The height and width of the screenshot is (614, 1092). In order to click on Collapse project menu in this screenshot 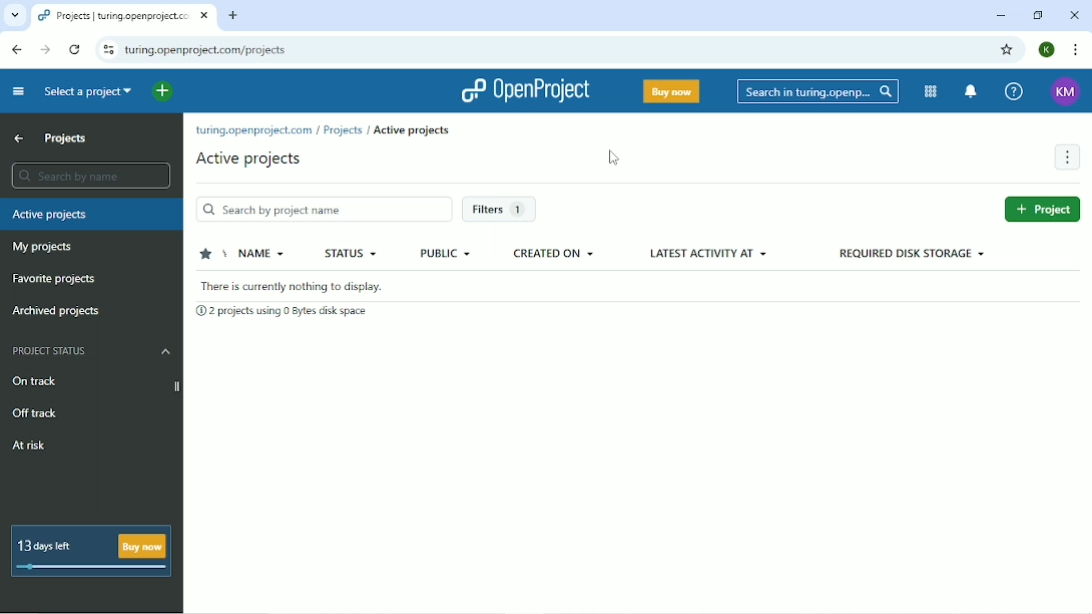, I will do `click(19, 92)`.